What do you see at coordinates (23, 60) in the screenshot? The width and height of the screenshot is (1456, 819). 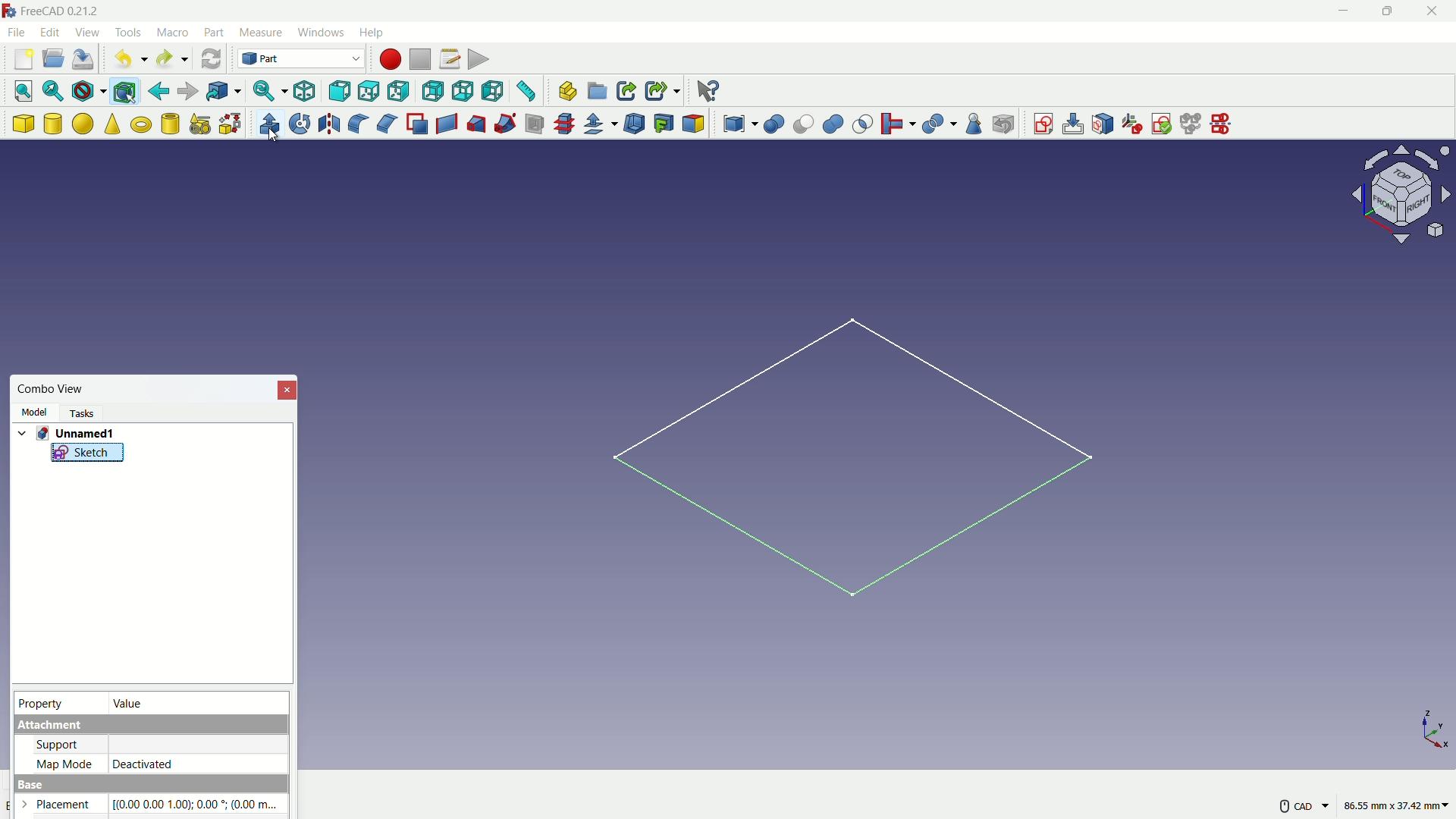 I see `new file` at bounding box center [23, 60].